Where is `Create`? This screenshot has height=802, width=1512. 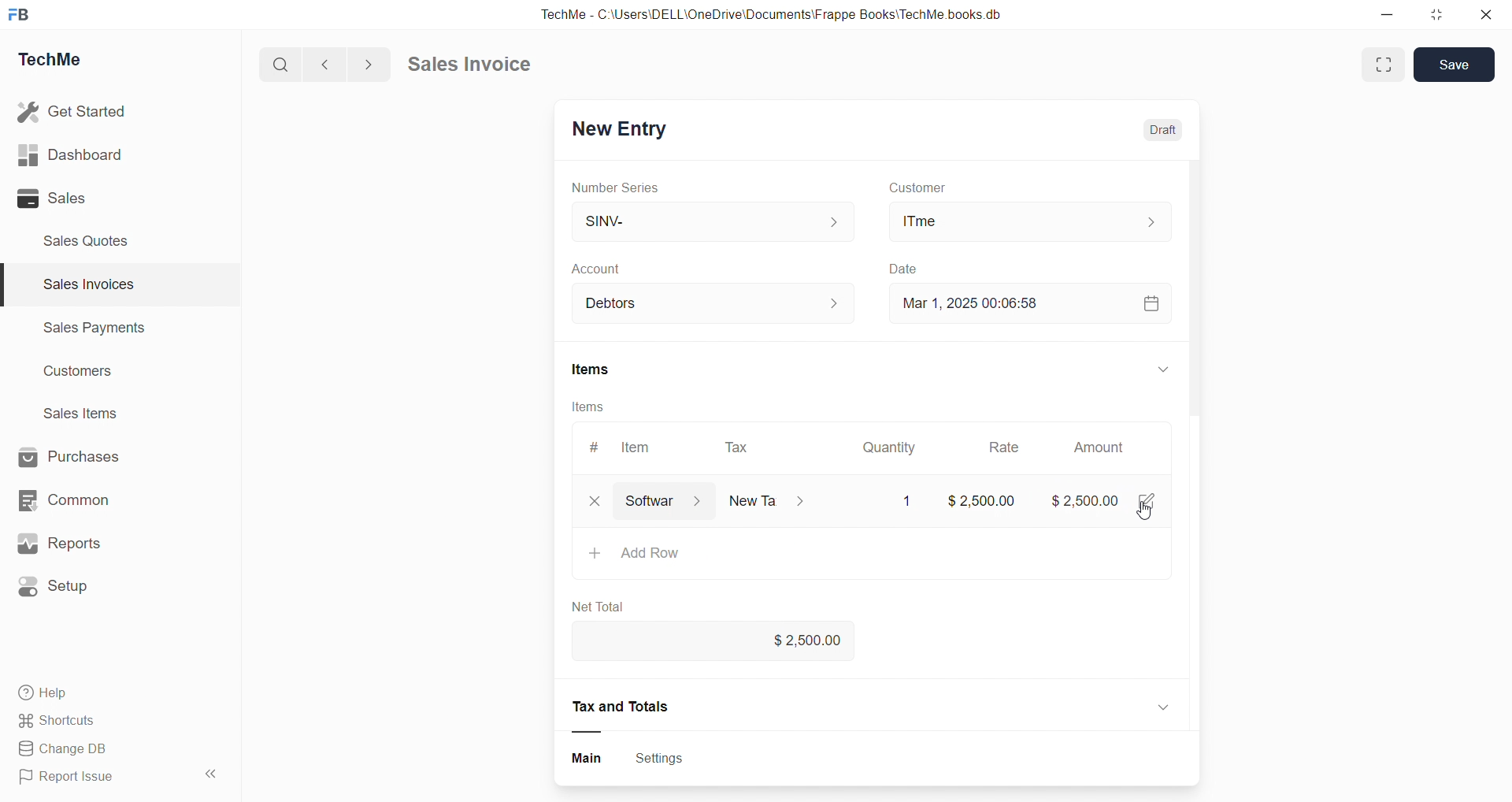
Create is located at coordinates (899, 266).